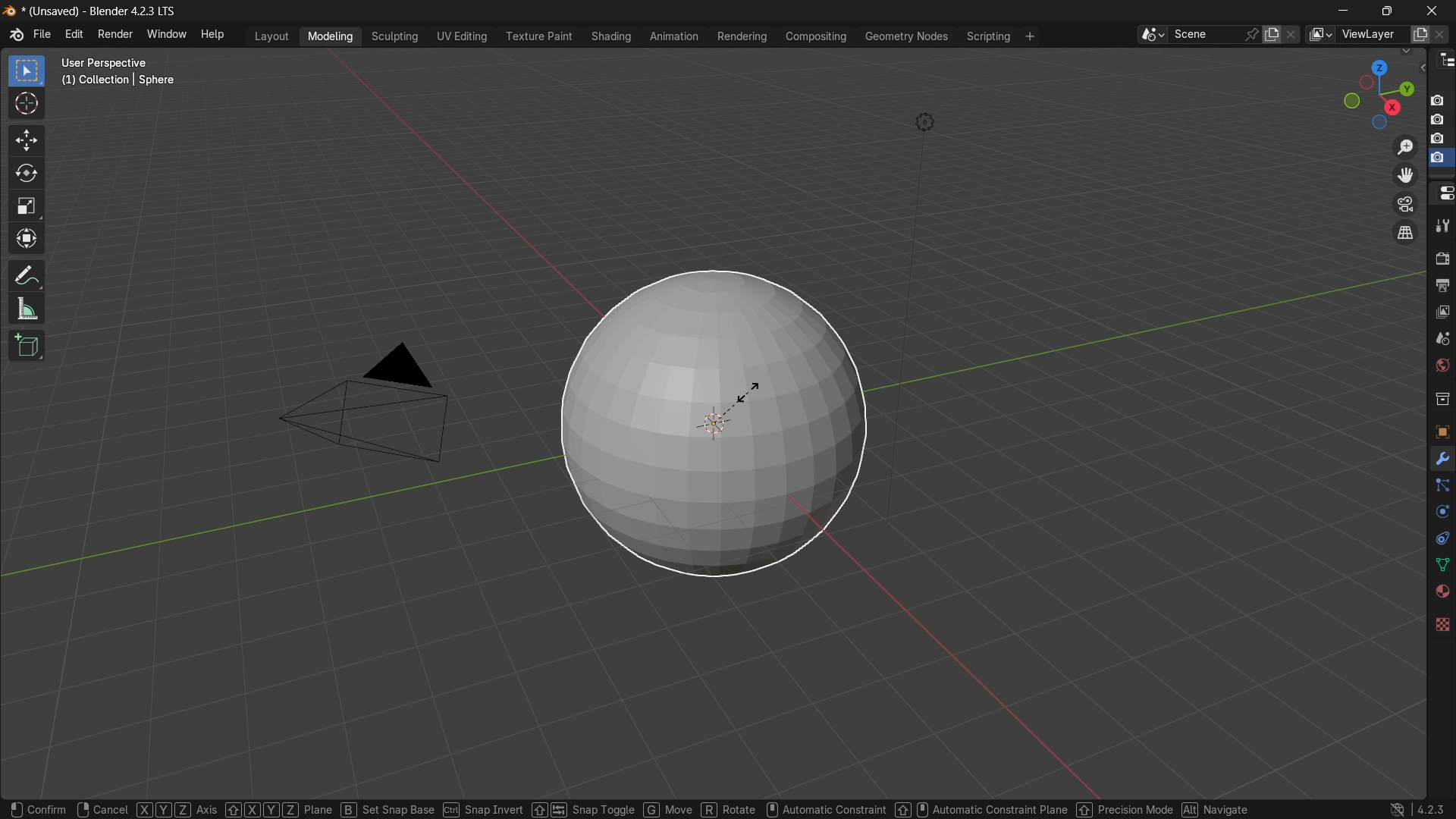 The height and width of the screenshot is (819, 1456). I want to click on texture paint menu, so click(538, 36).